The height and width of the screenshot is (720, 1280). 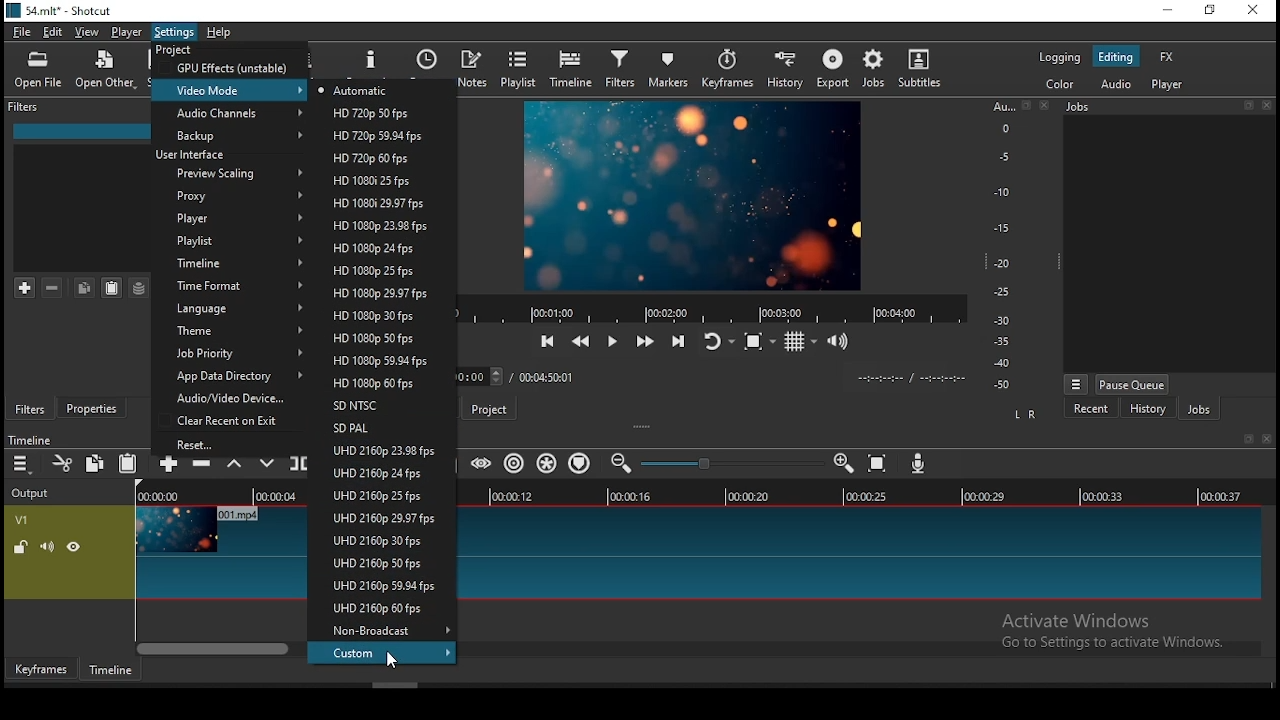 I want to click on 00:00:37, so click(x=1224, y=496).